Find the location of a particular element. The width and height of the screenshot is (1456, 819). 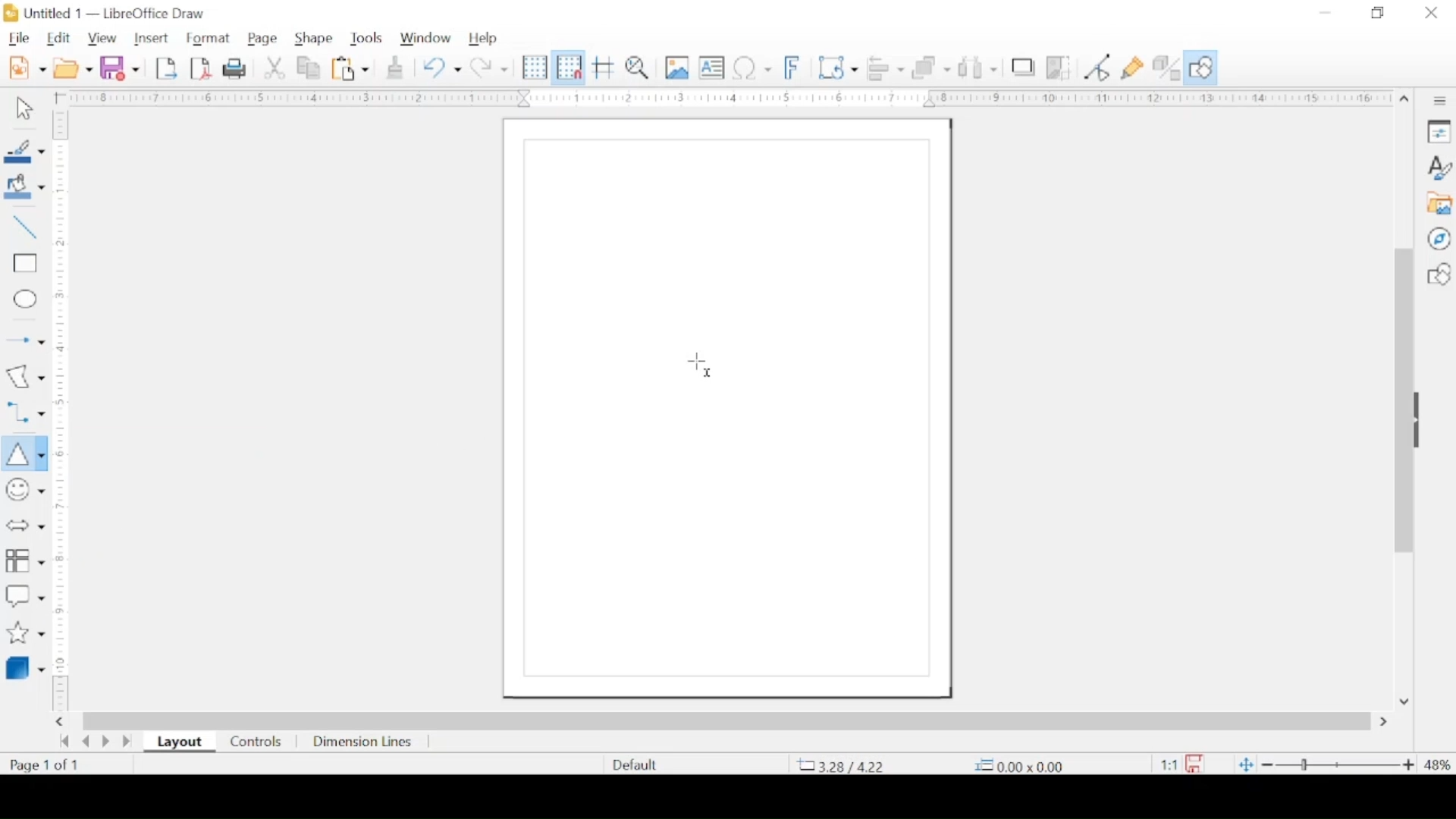

insert is located at coordinates (153, 39).